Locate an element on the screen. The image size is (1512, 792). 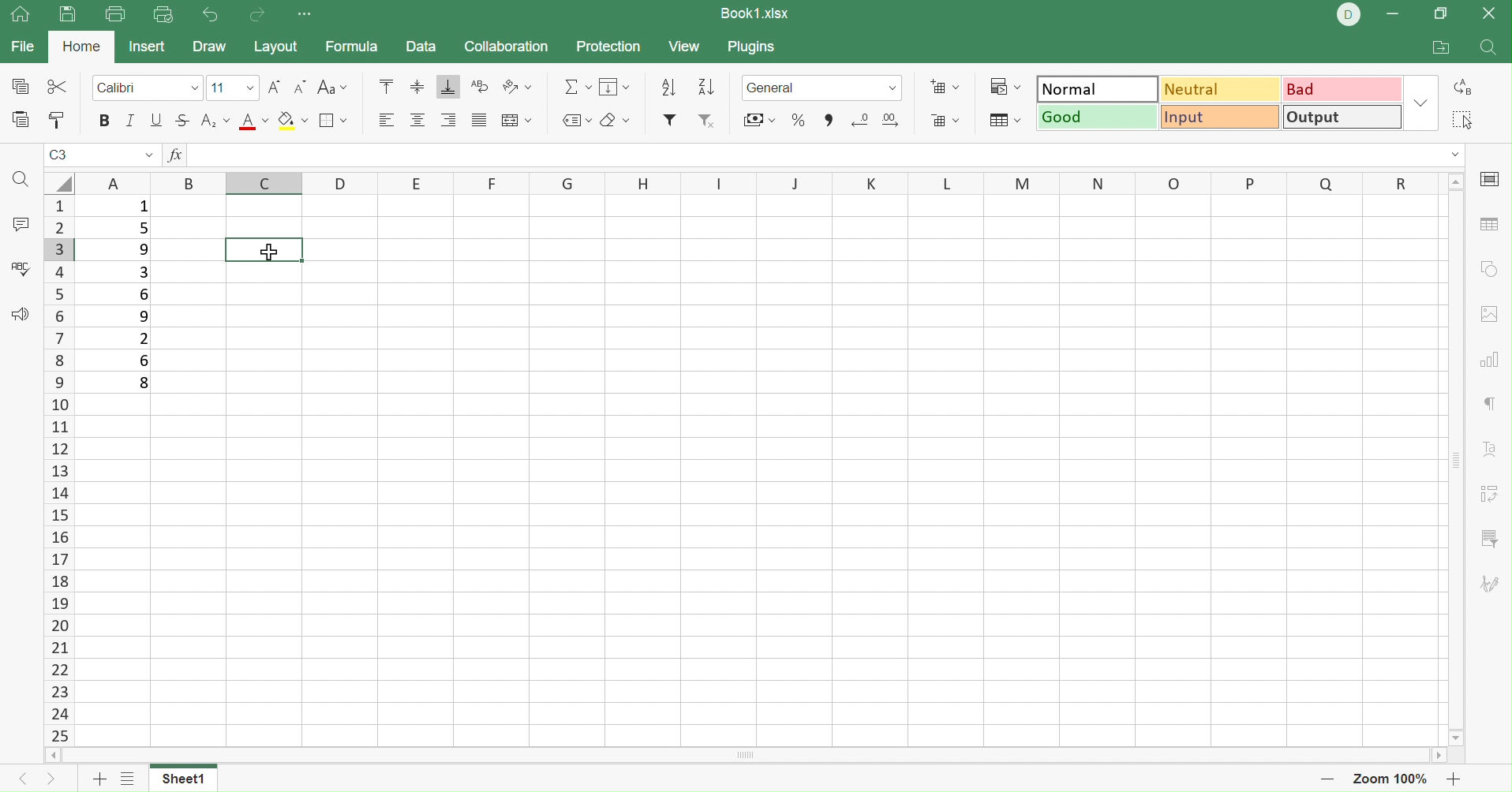
Layout is located at coordinates (275, 47).